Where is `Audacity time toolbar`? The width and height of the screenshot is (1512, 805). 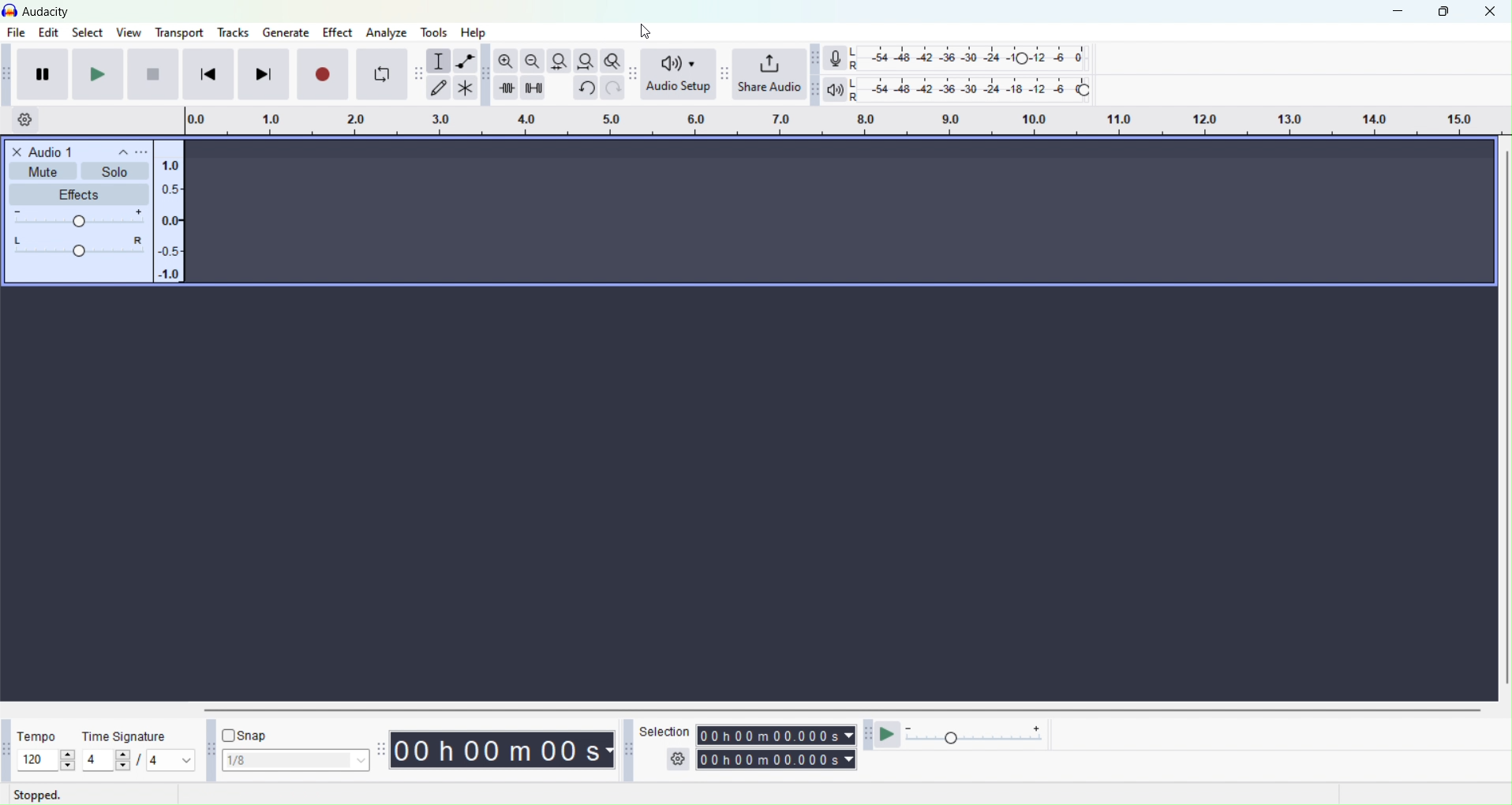 Audacity time toolbar is located at coordinates (380, 750).